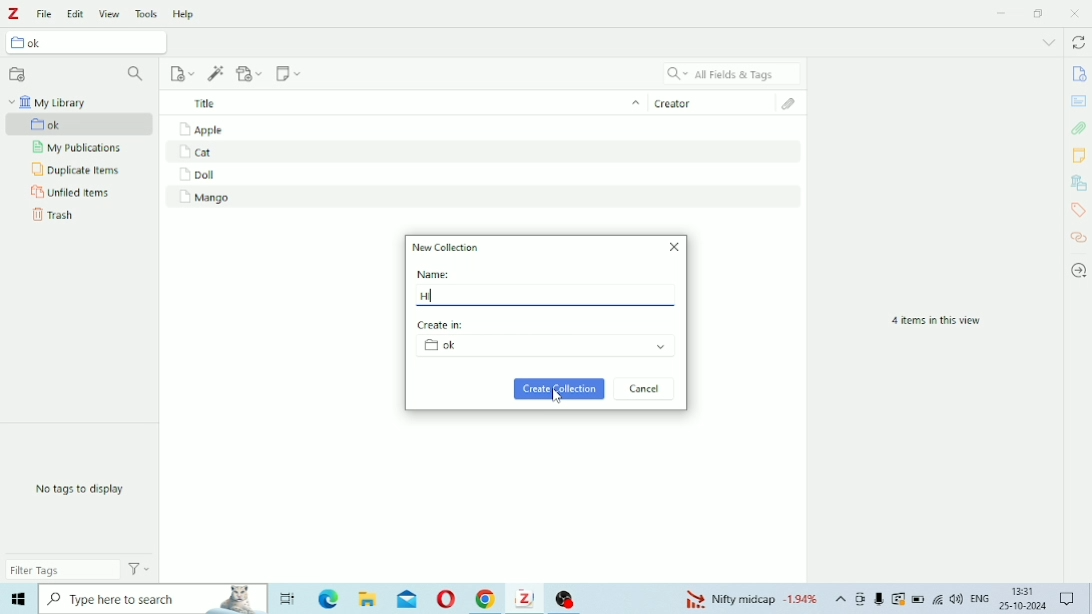 This screenshot has height=614, width=1092. Describe the element at coordinates (879, 598) in the screenshot. I see `Mic` at that location.